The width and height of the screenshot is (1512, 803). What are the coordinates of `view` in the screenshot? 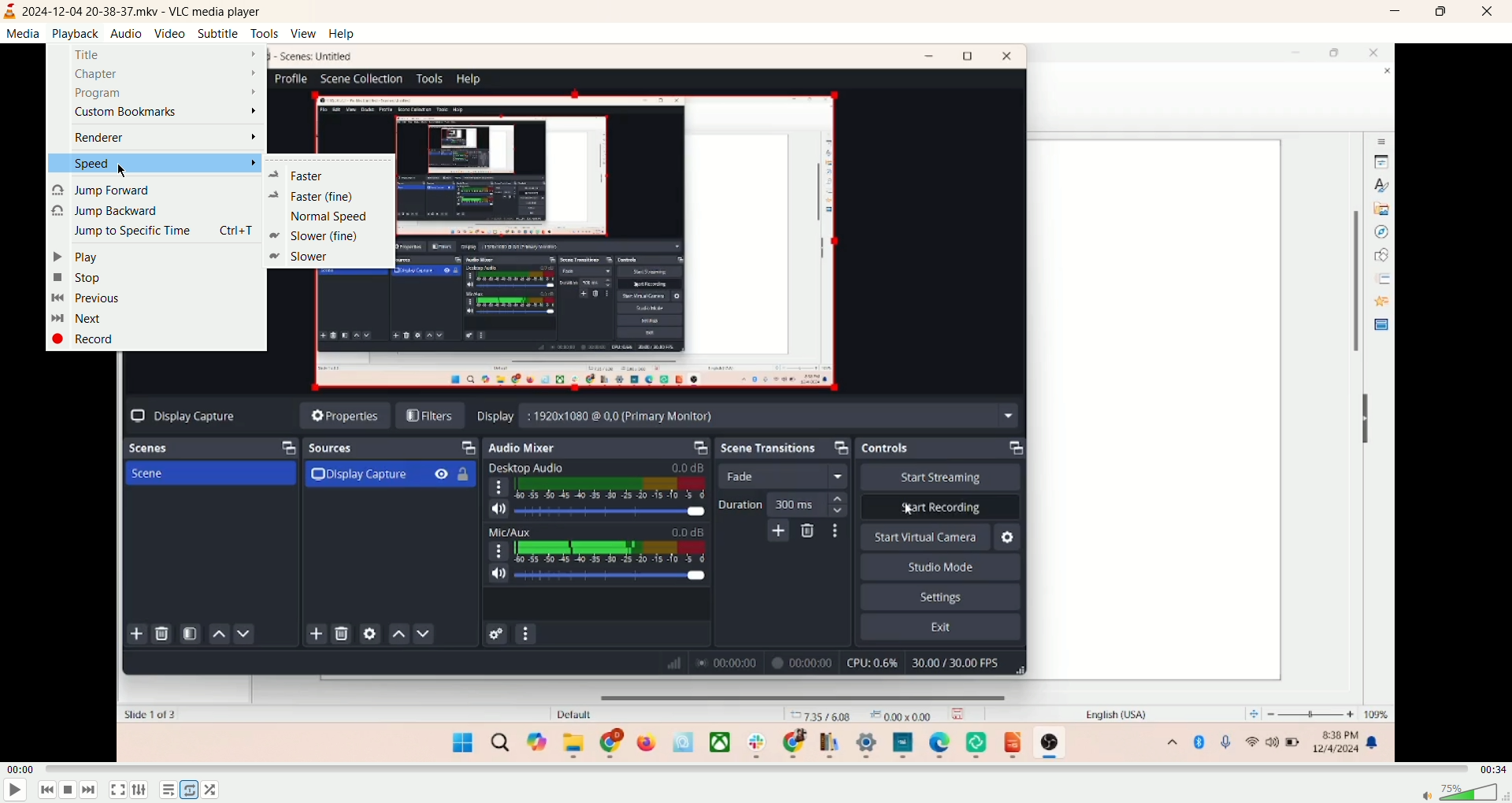 It's located at (302, 34).